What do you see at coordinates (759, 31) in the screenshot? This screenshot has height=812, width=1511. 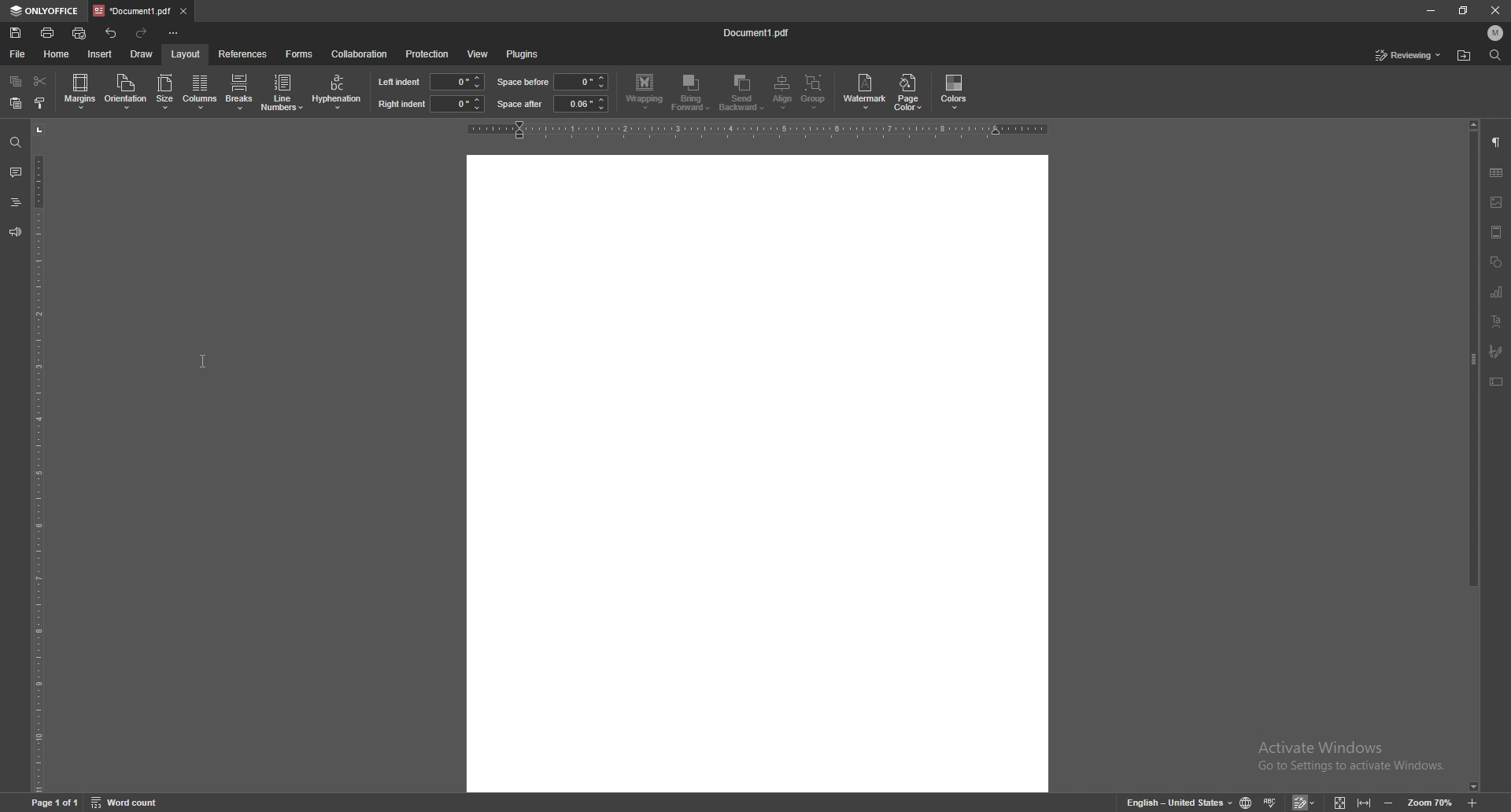 I see `file name` at bounding box center [759, 31].